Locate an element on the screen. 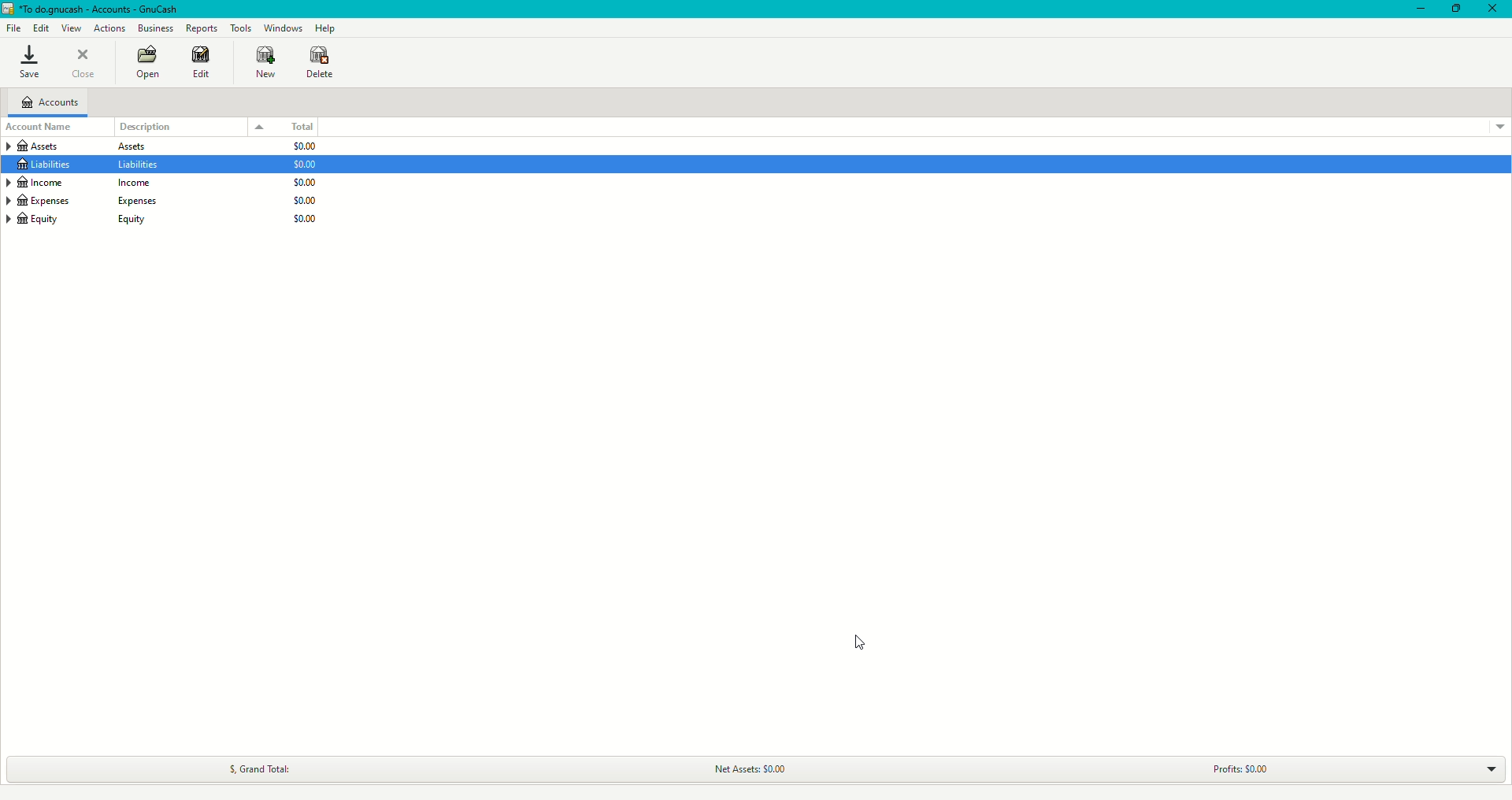 The image size is (1512, 800). Total is located at coordinates (309, 127).